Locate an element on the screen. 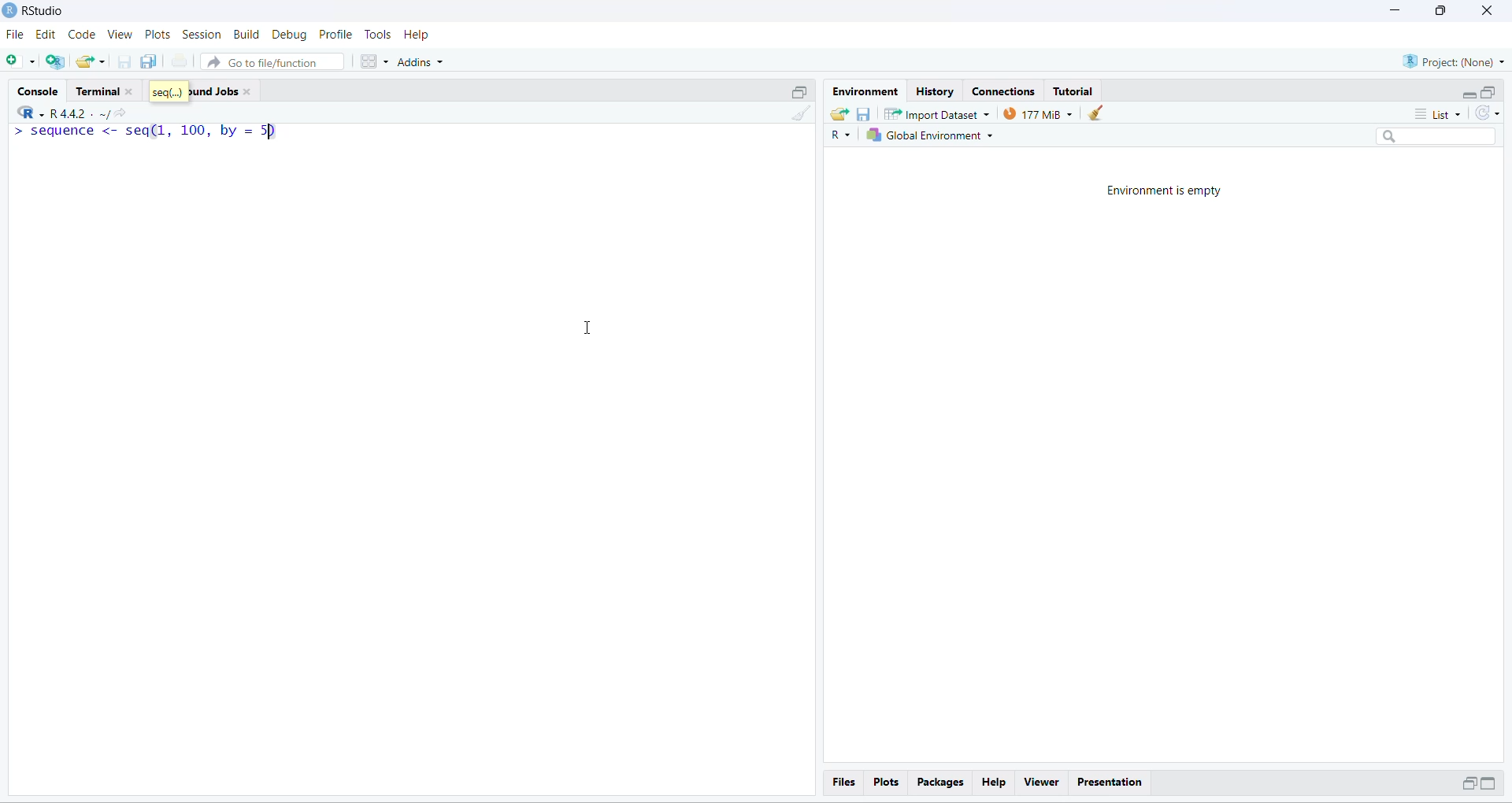  Presentation  is located at coordinates (1110, 783).